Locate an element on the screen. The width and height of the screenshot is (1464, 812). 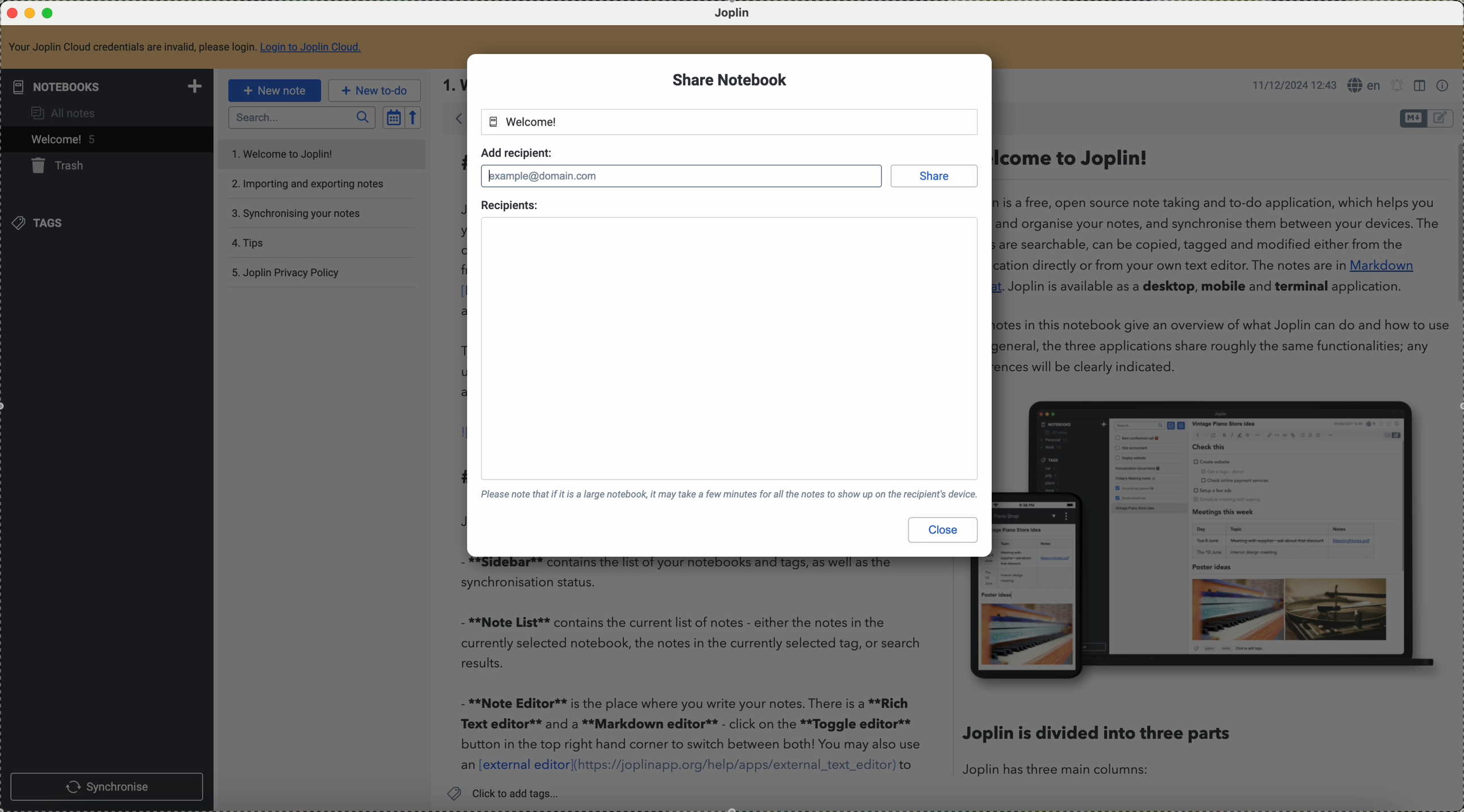
maximize Joplin is located at coordinates (50, 14).